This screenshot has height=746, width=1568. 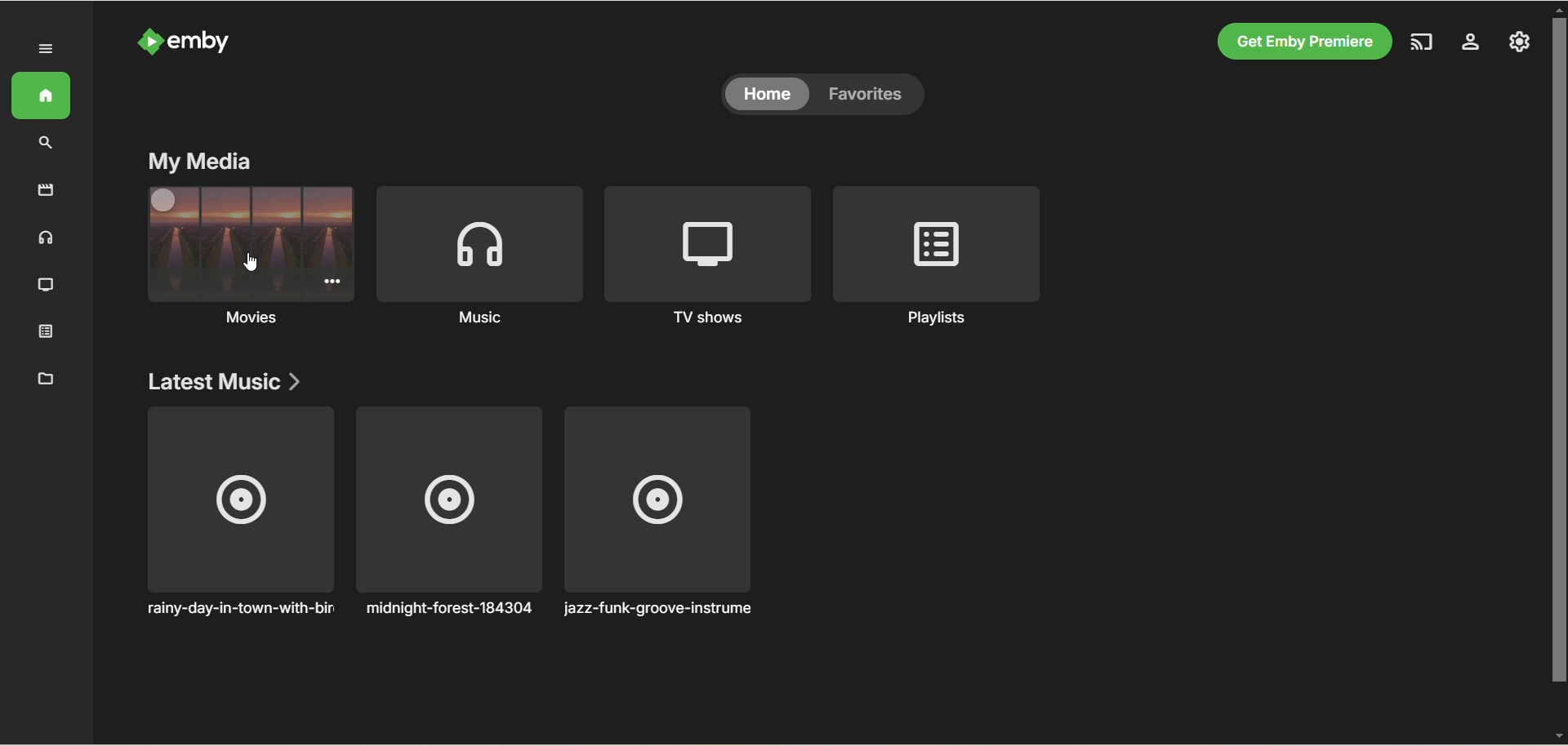 I want to click on Movies, so click(x=231, y=274).